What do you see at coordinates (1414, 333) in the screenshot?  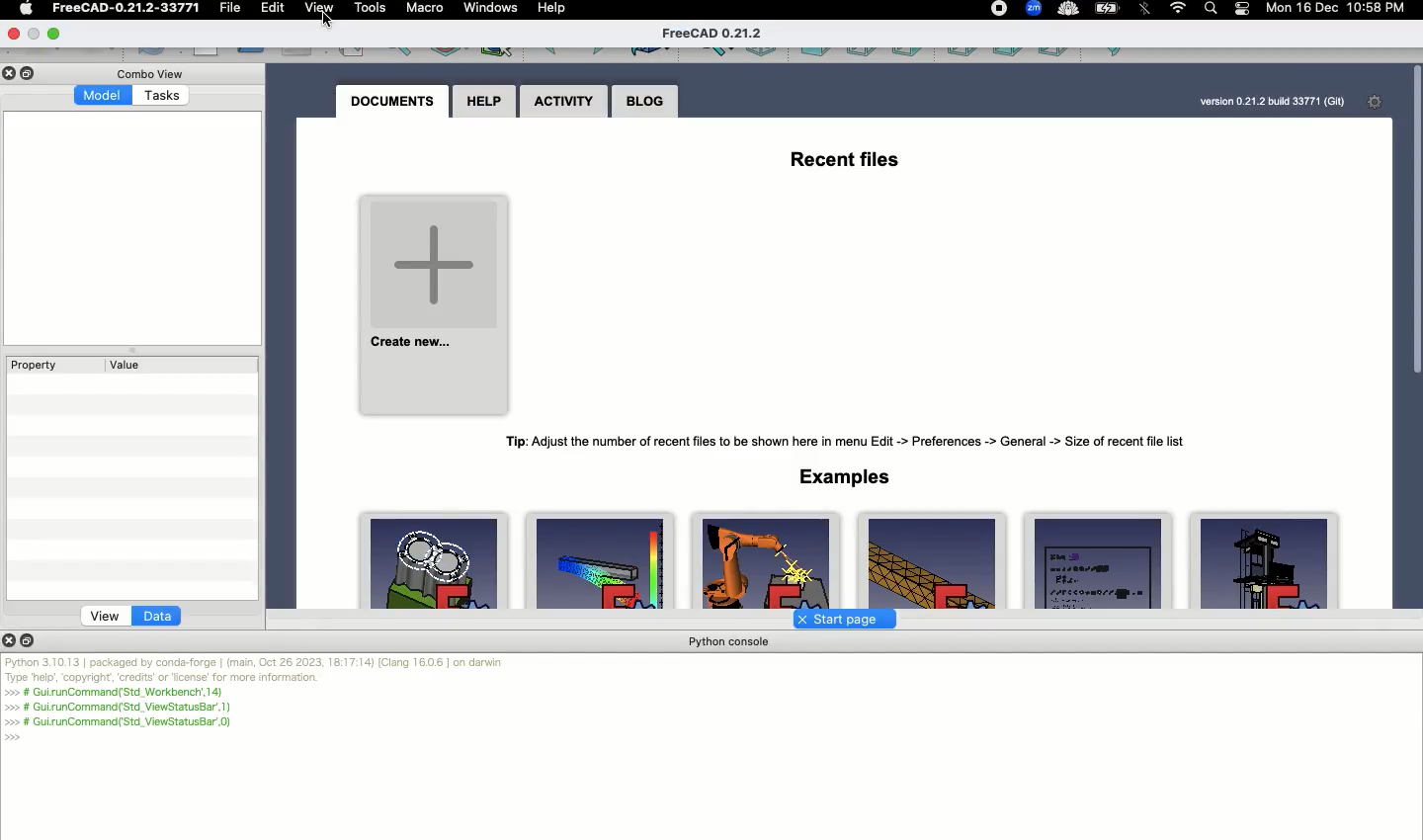 I see `Scroll` at bounding box center [1414, 333].